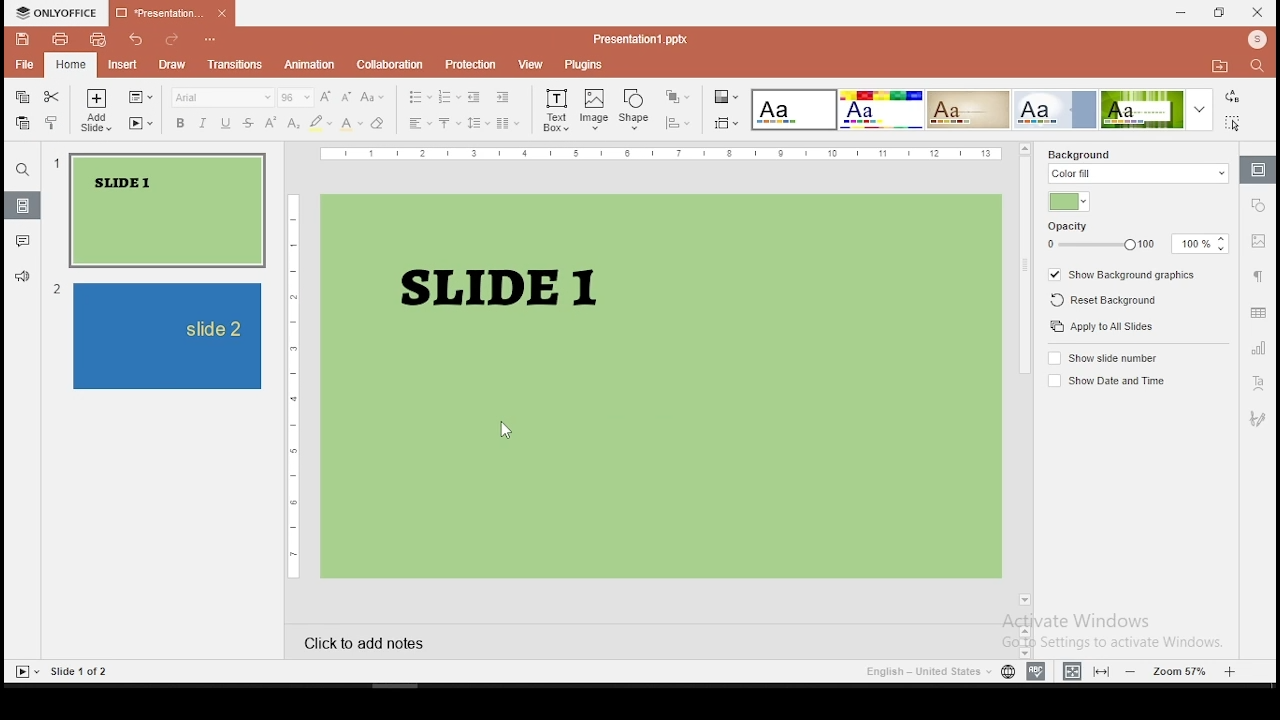 The image size is (1280, 720). What do you see at coordinates (633, 108) in the screenshot?
I see `shape` at bounding box center [633, 108].